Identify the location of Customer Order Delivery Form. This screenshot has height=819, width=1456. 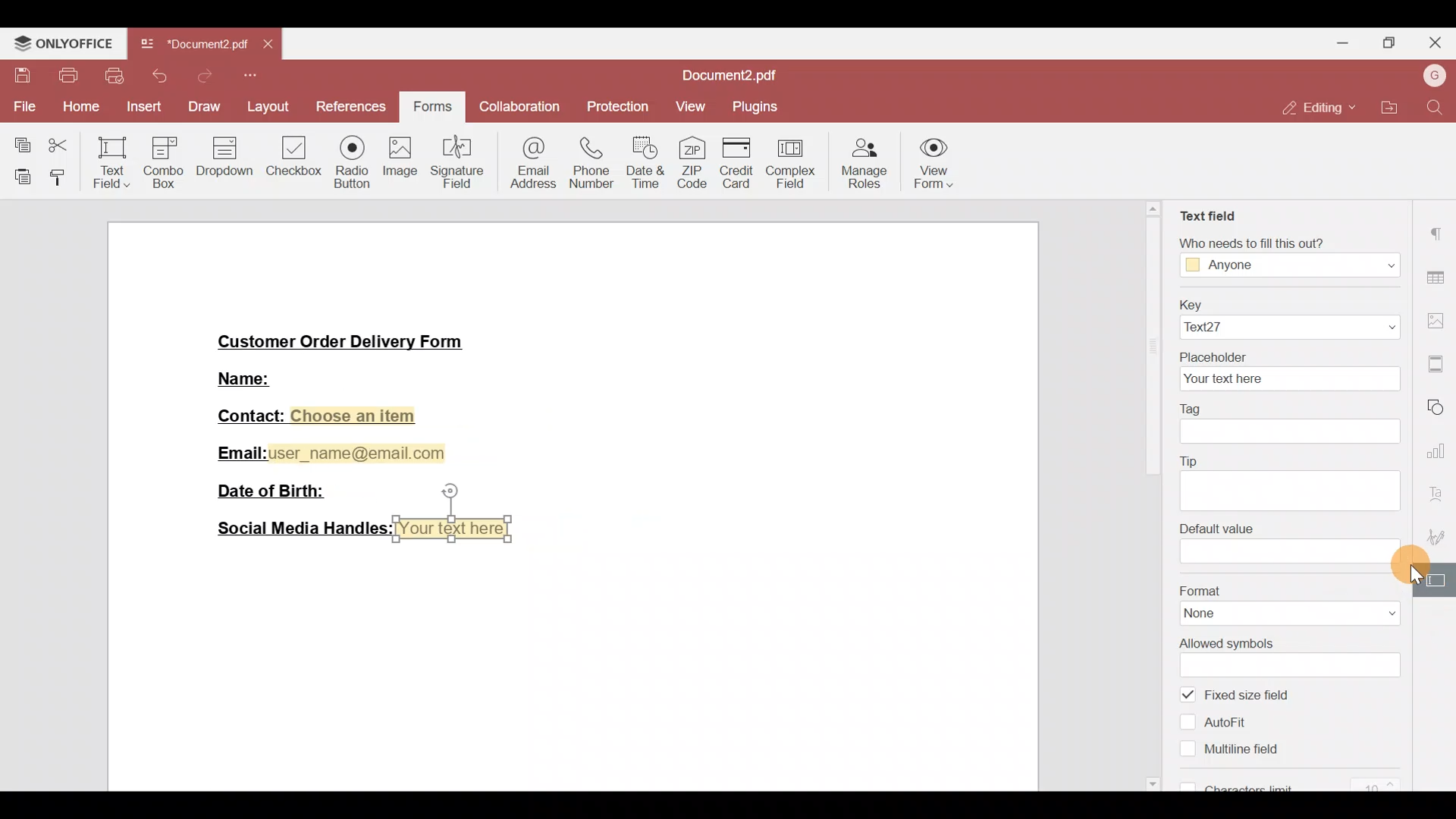
(351, 340).